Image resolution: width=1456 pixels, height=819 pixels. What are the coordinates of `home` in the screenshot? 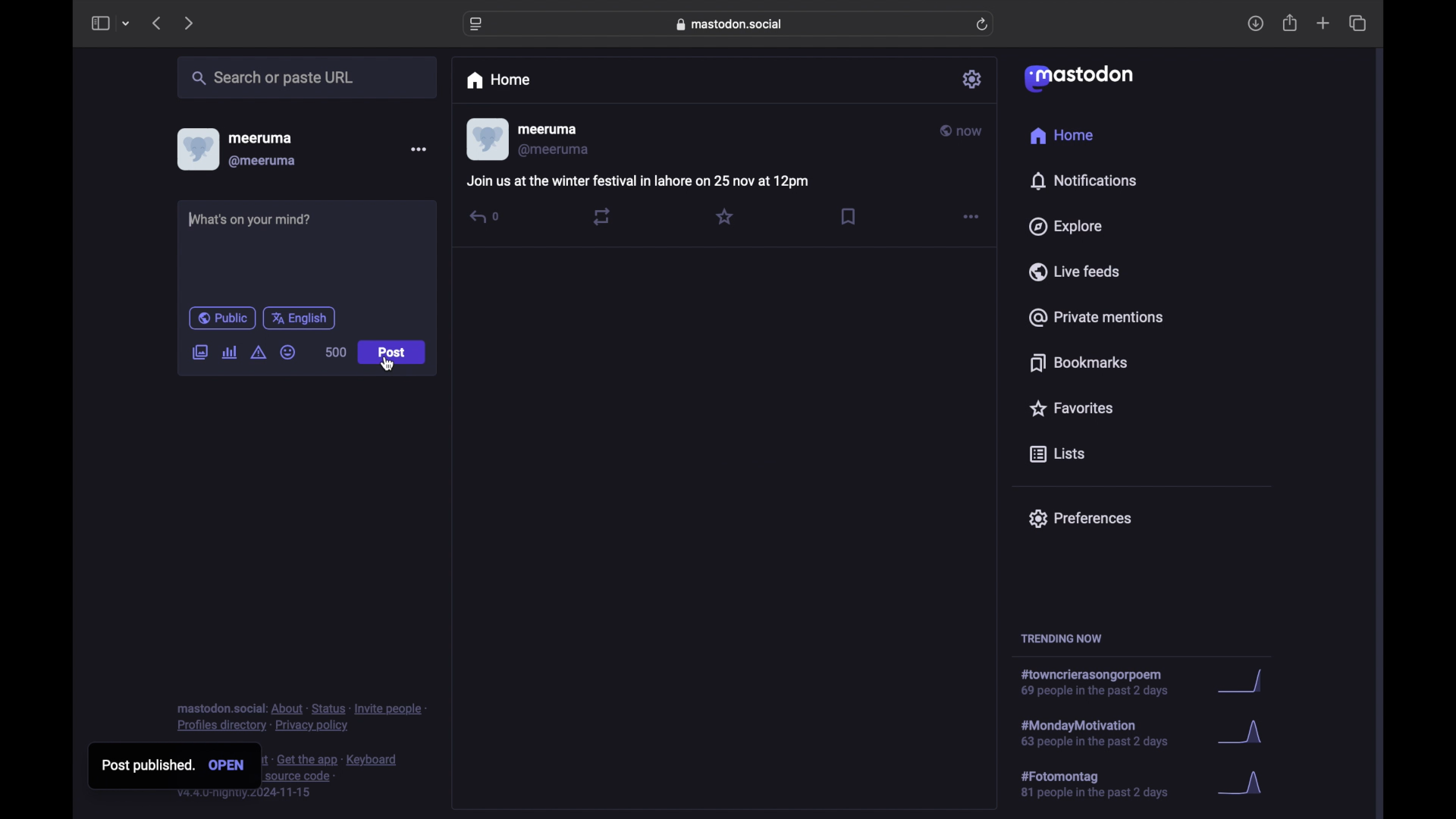 It's located at (497, 80).